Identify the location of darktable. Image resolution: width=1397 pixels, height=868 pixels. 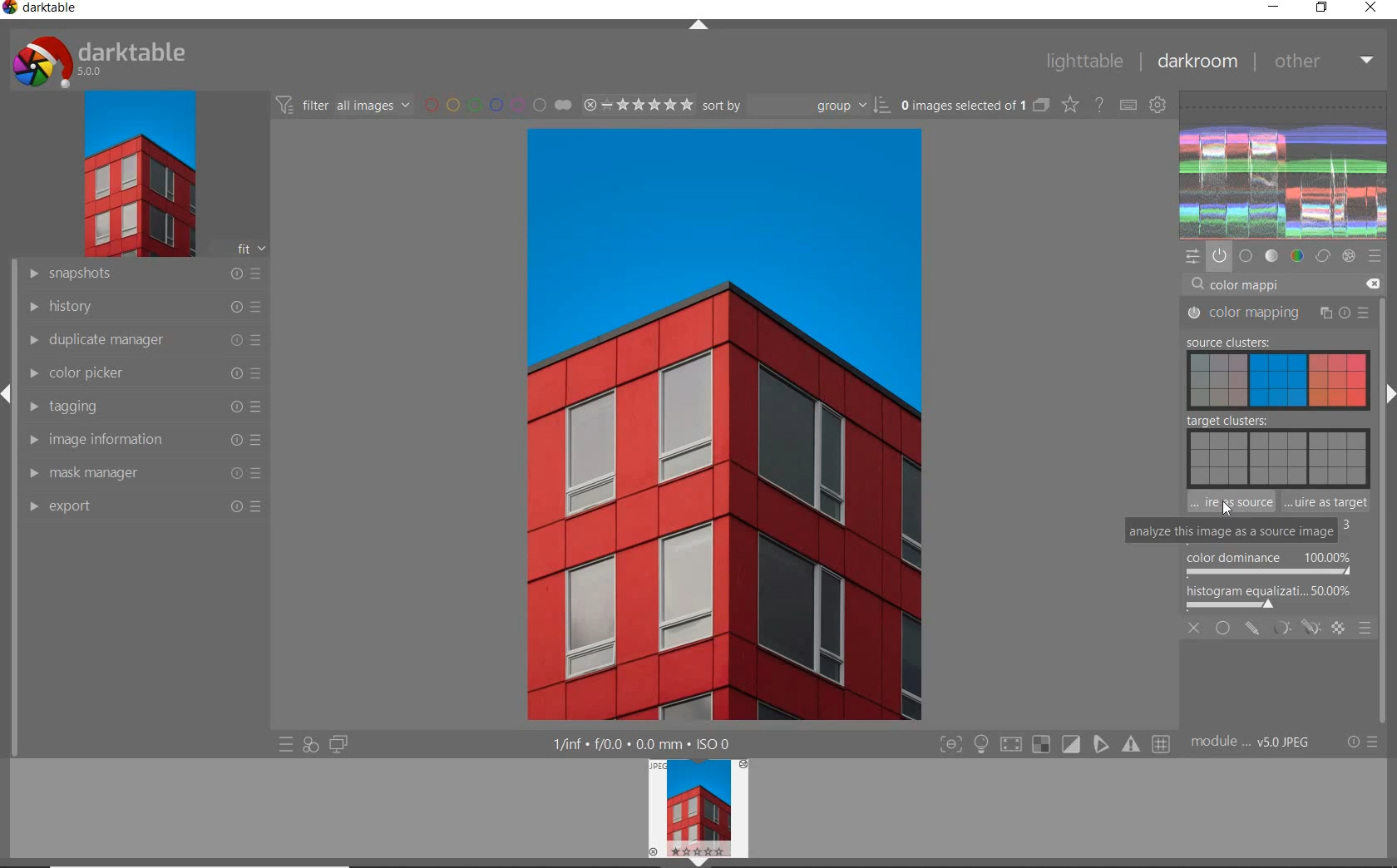
(116, 57).